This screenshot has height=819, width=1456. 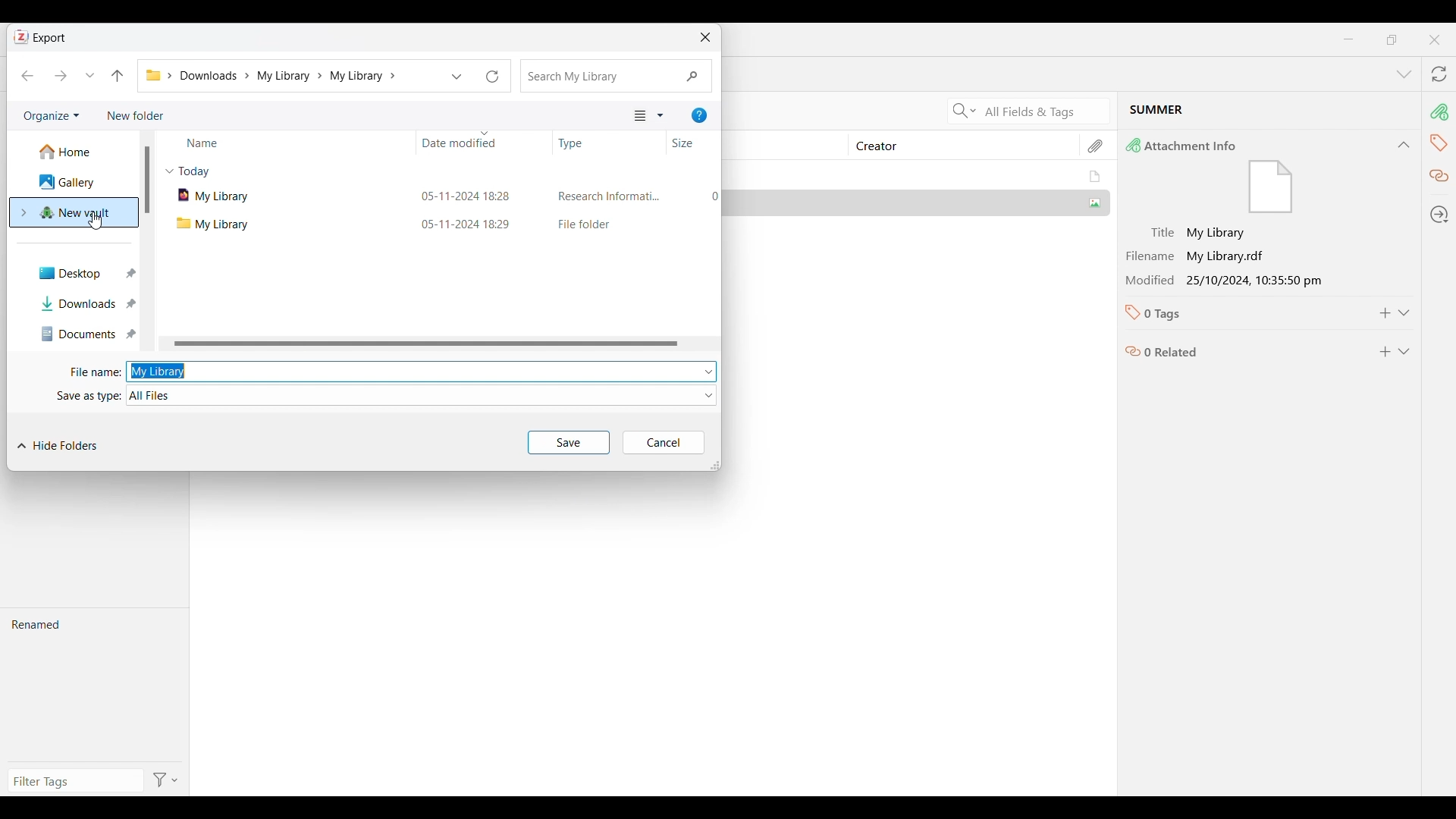 I want to click on Hide folders, so click(x=57, y=445).